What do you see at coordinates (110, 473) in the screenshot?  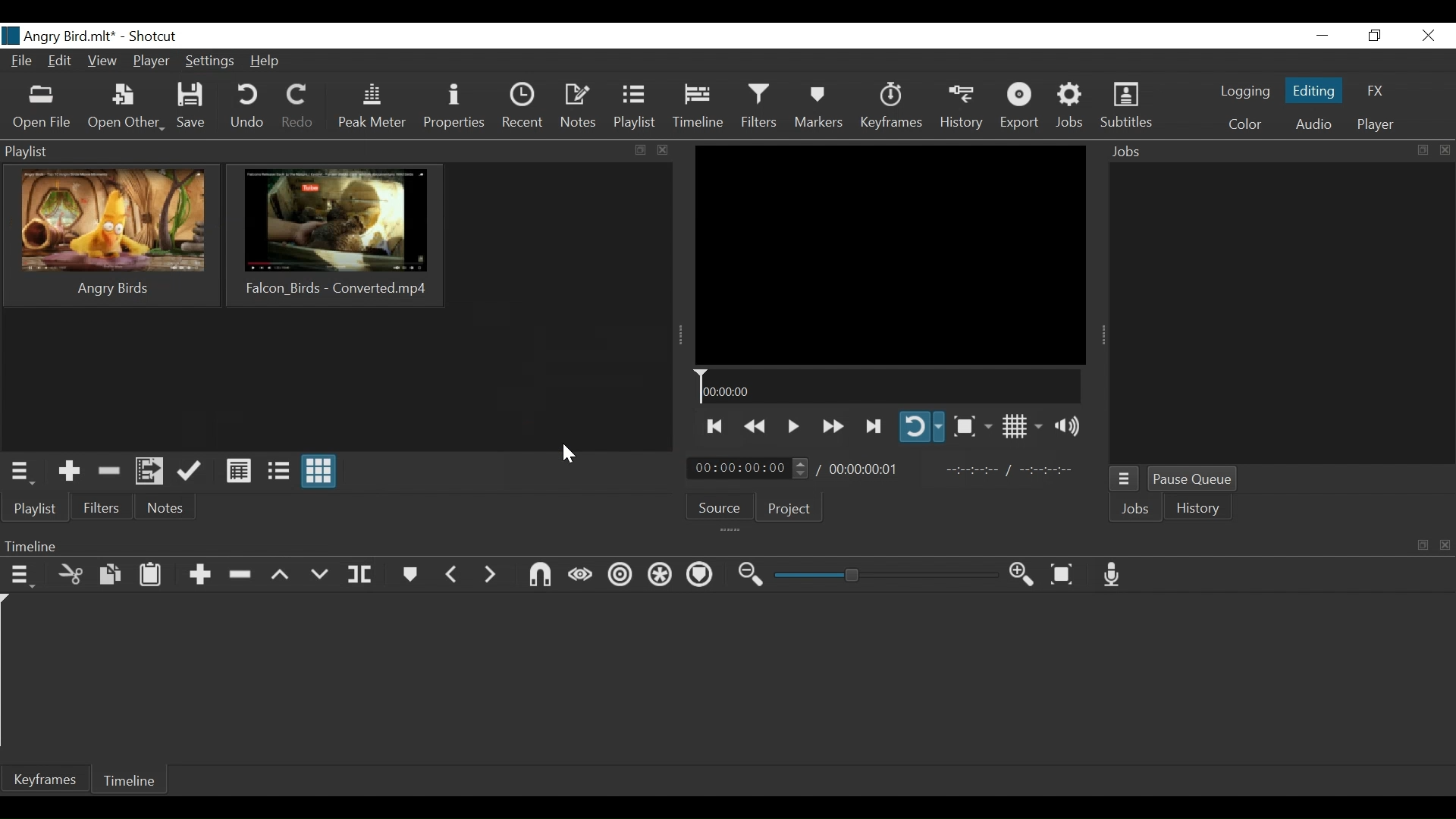 I see `Remove cut` at bounding box center [110, 473].